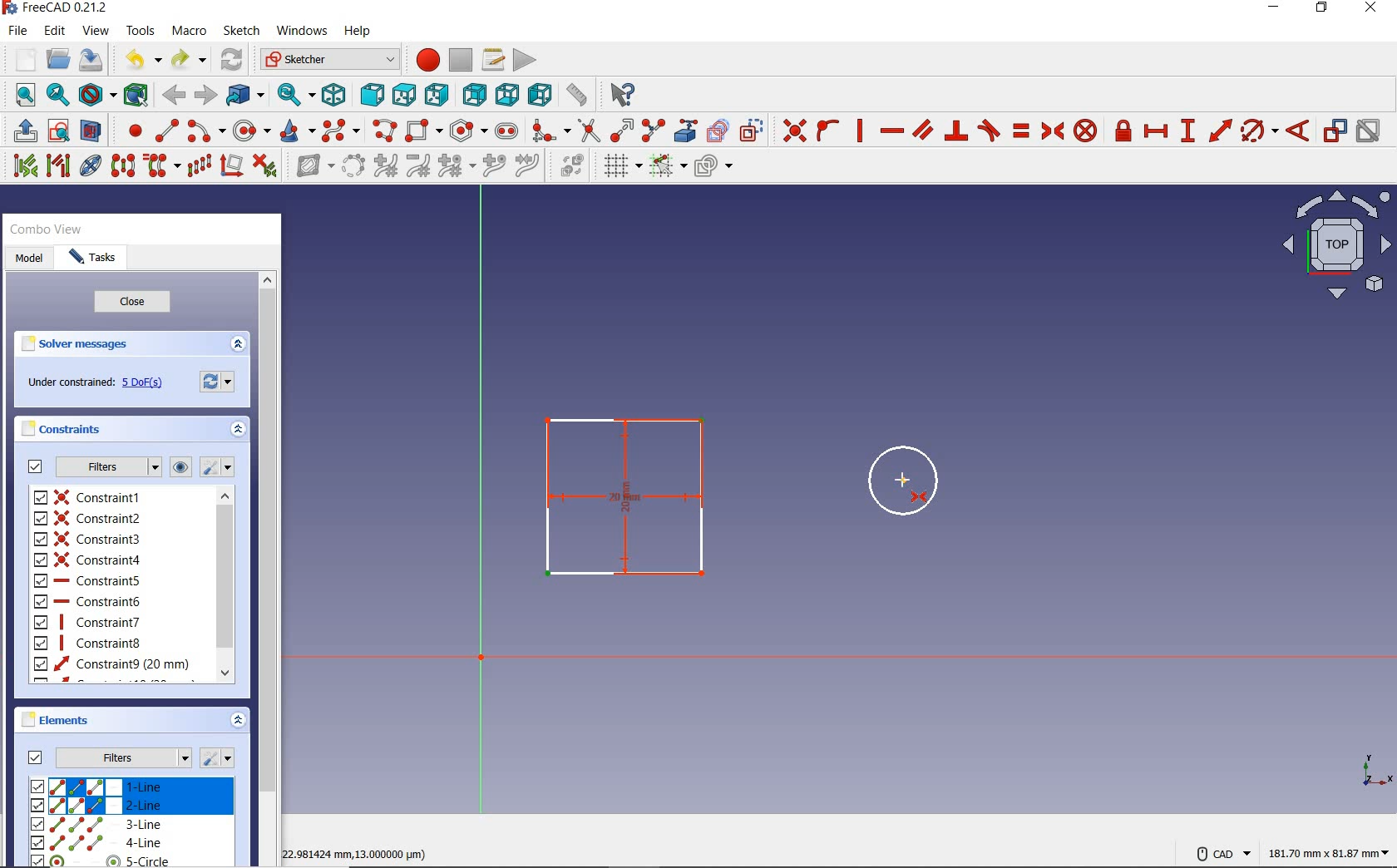 Image resolution: width=1397 pixels, height=868 pixels. I want to click on sketch, so click(243, 32).